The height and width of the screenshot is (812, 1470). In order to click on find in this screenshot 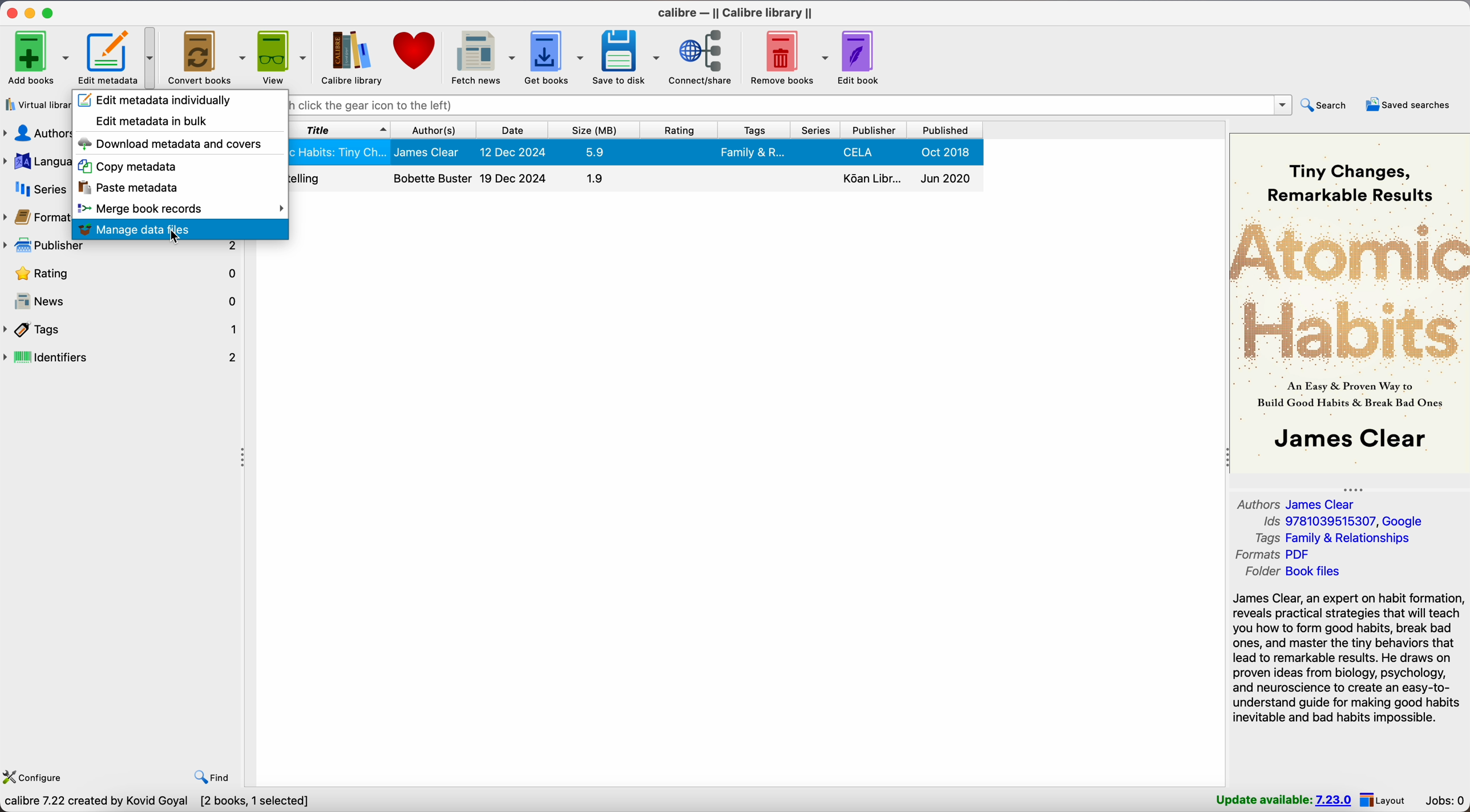, I will do `click(208, 775)`.